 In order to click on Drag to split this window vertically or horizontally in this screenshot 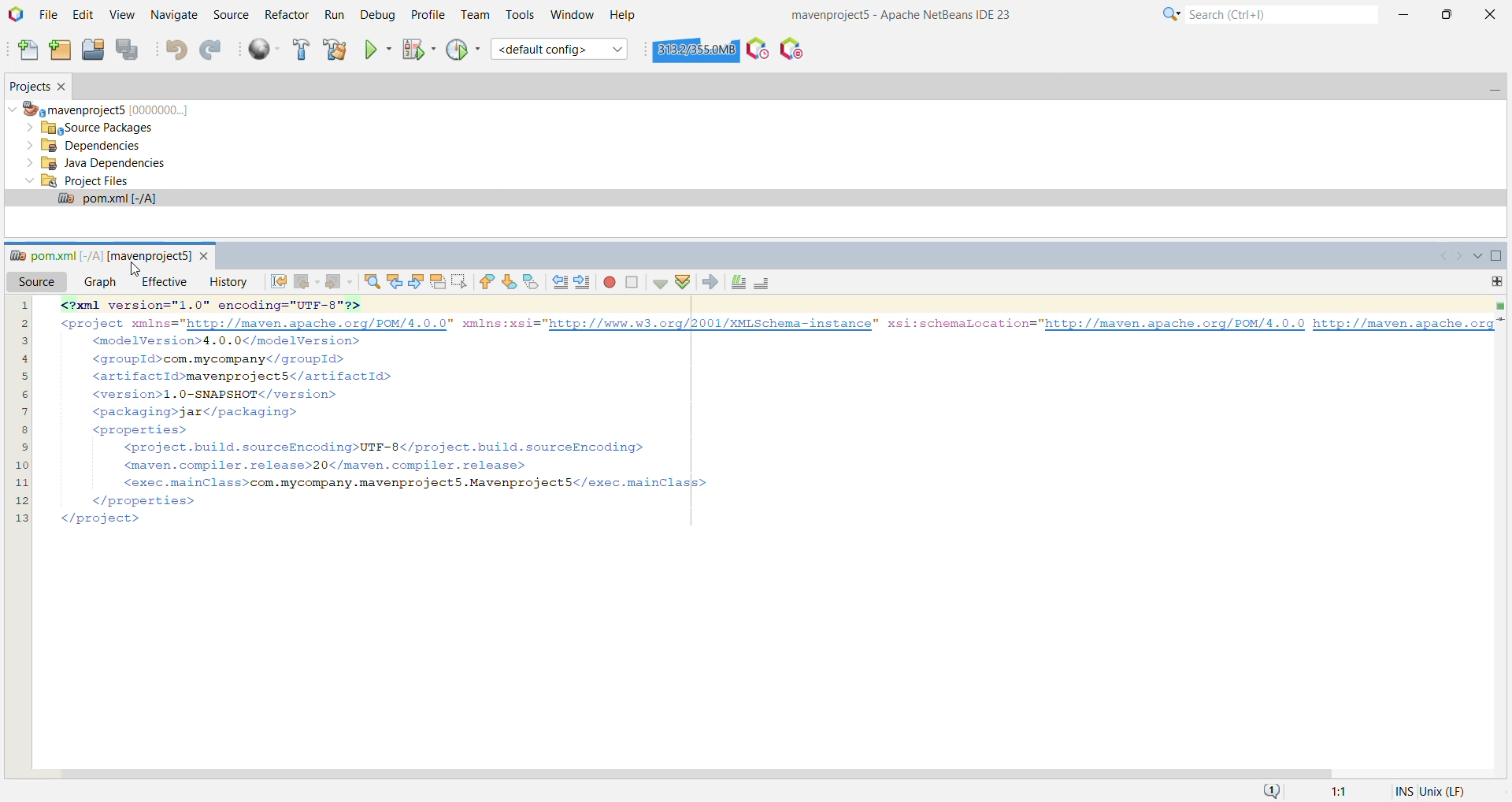, I will do `click(1495, 281)`.